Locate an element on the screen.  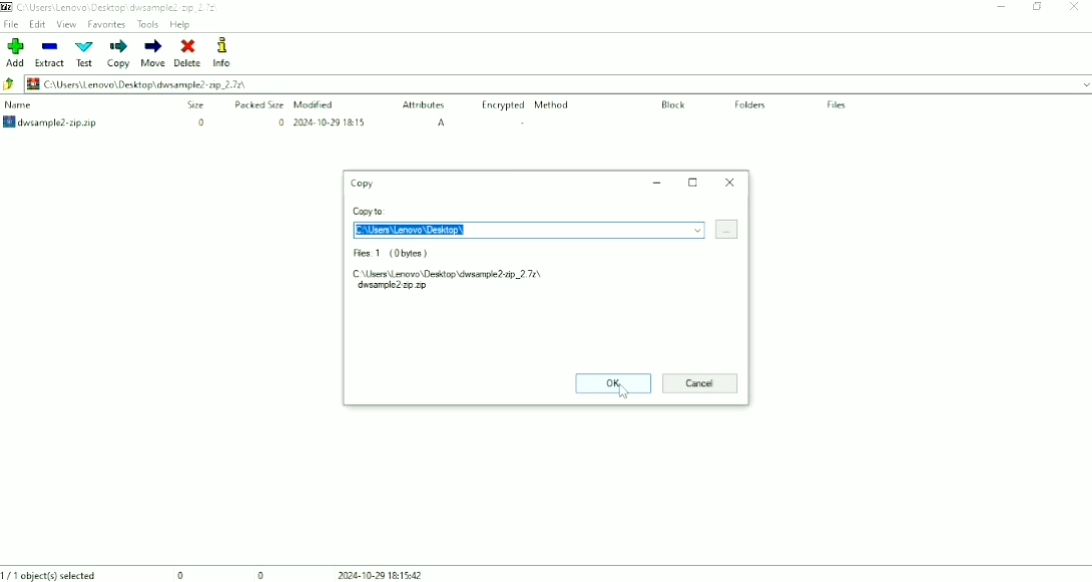
Cancel is located at coordinates (700, 384).